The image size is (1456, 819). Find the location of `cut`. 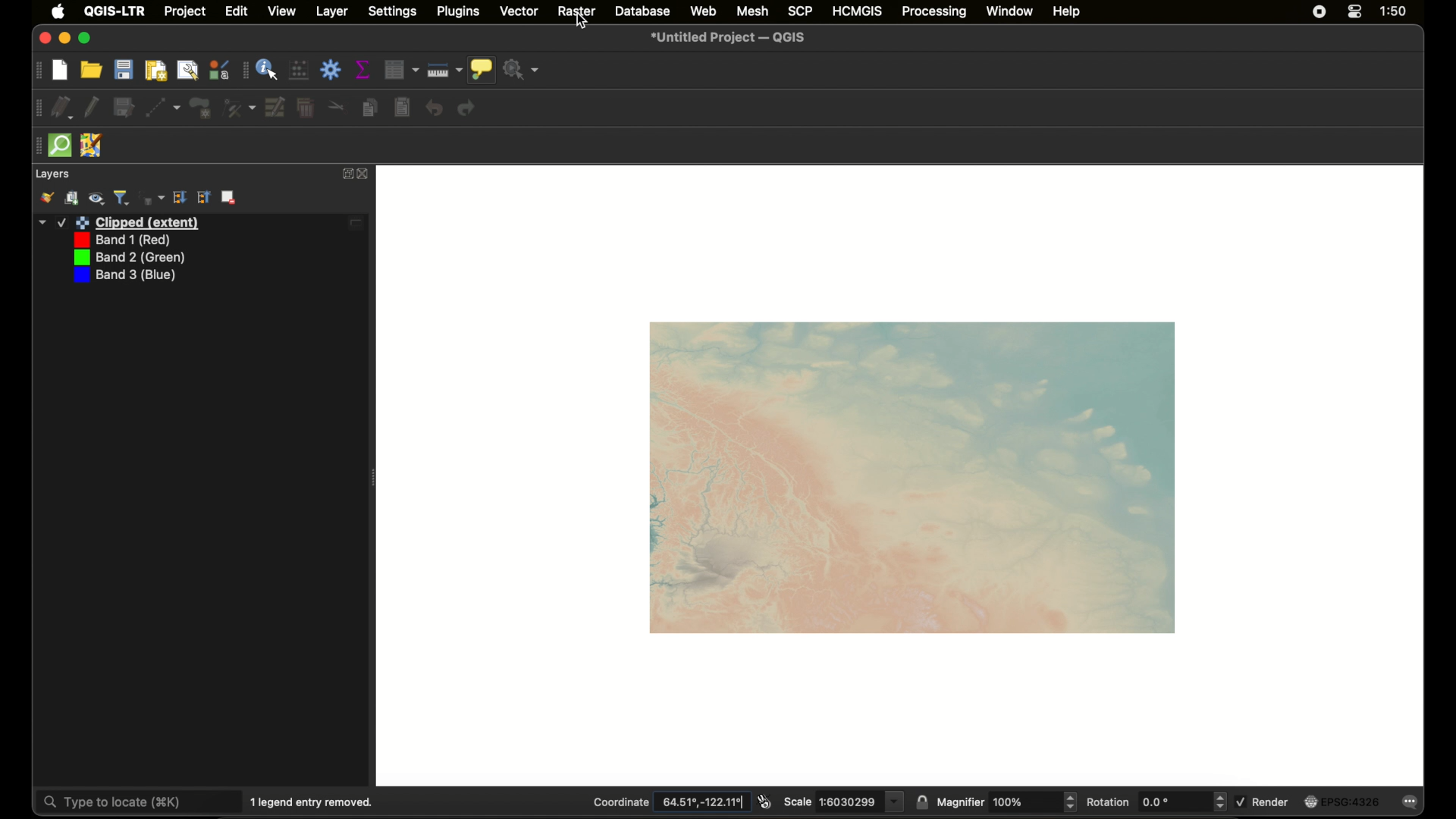

cut is located at coordinates (337, 105).